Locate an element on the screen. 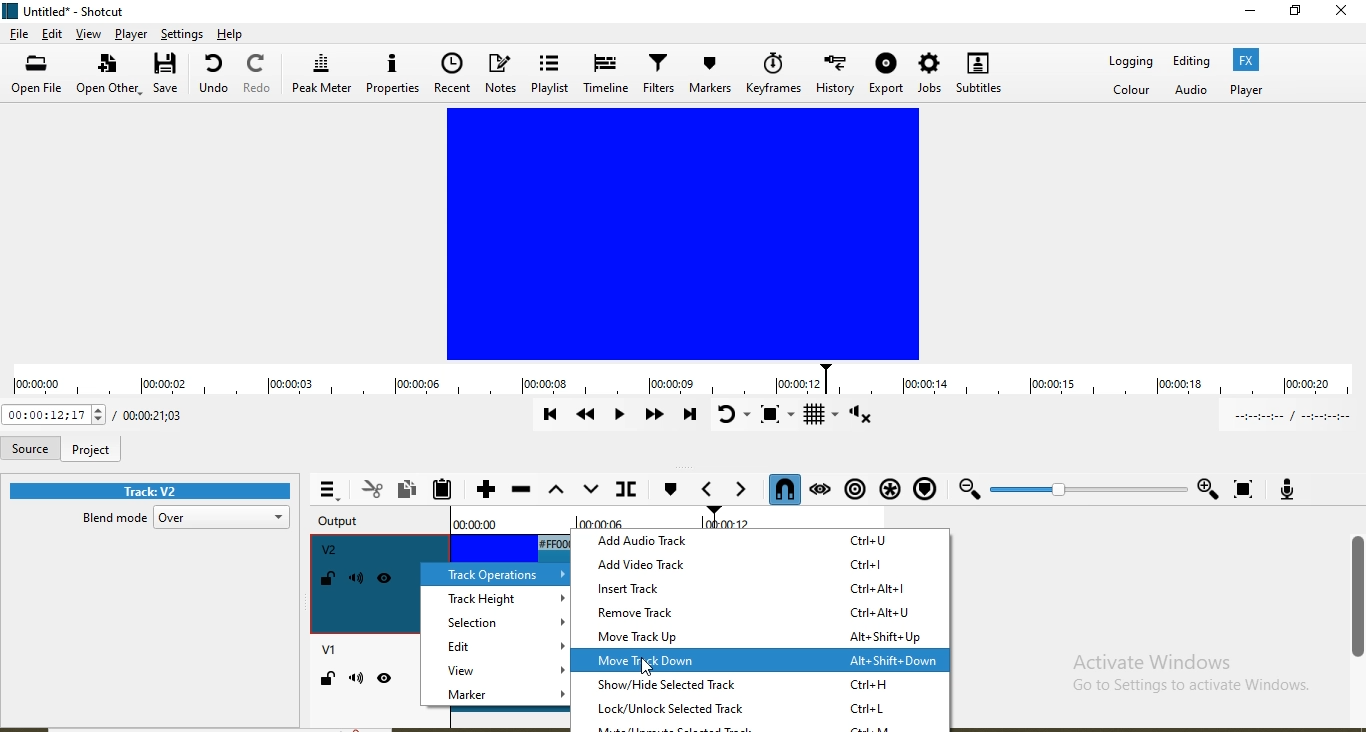  Zoom in is located at coordinates (1207, 485).